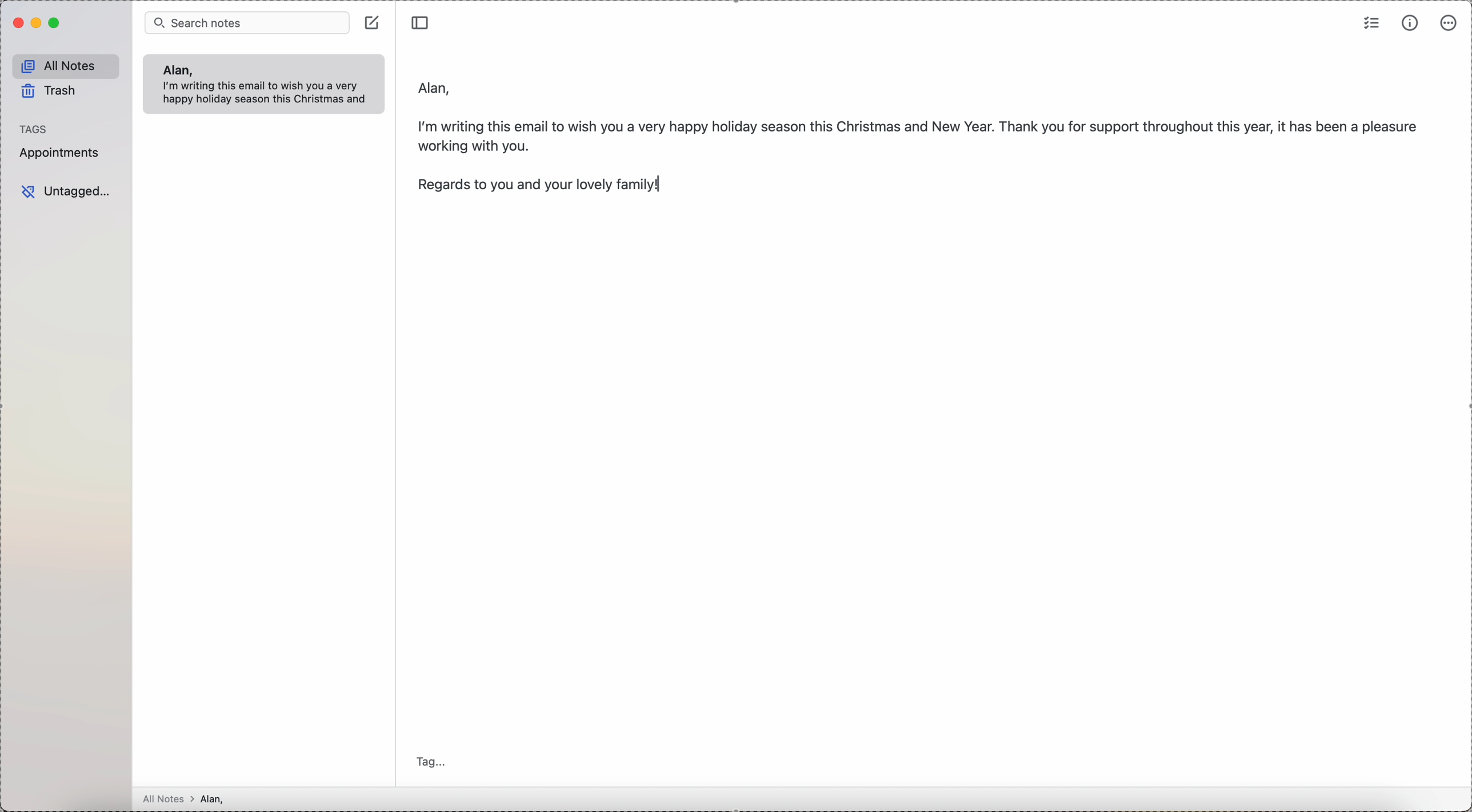 The width and height of the screenshot is (1472, 812). I want to click on close program, so click(17, 23).